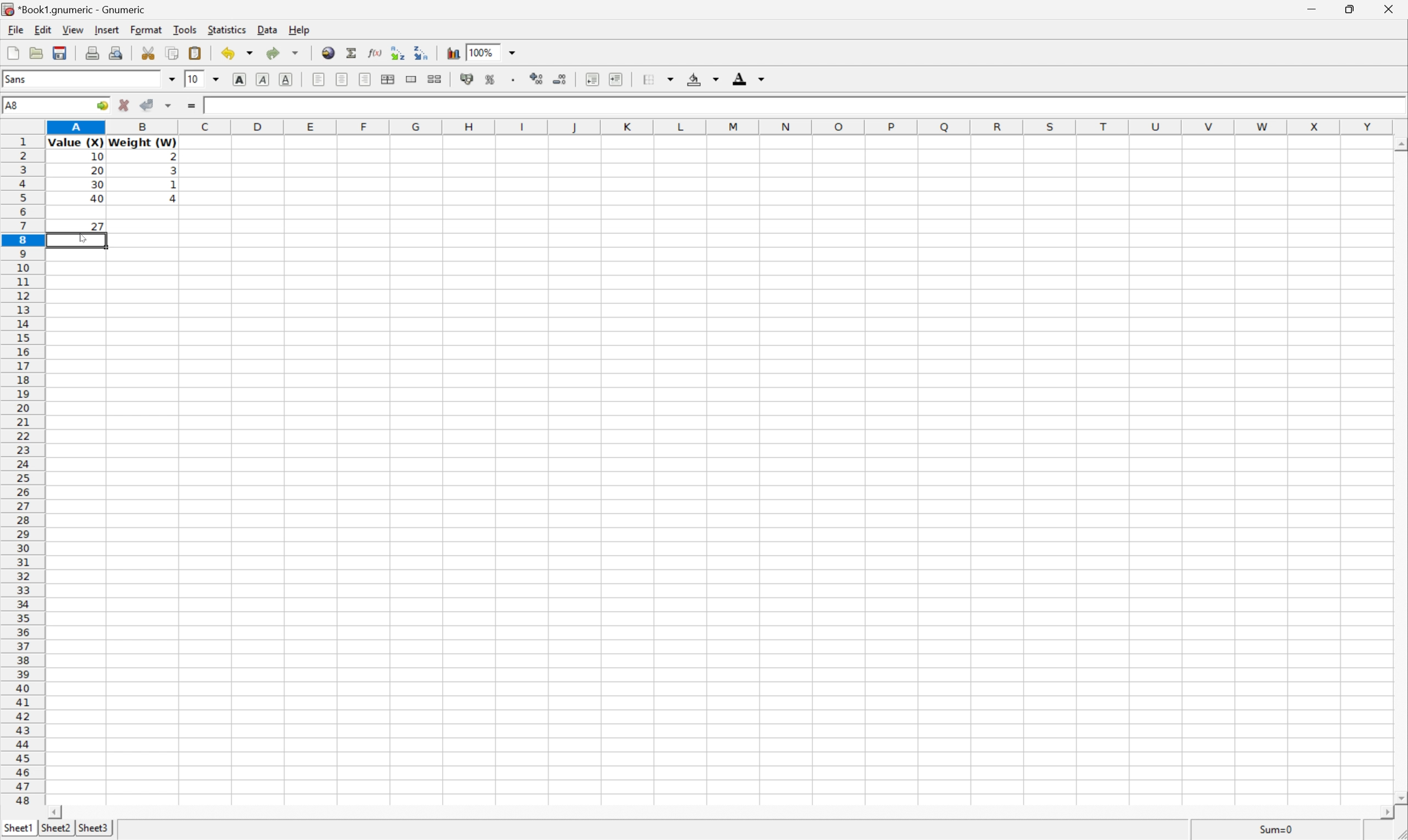  What do you see at coordinates (592, 79) in the screenshot?
I see `Increase indent, and align the contents to the left` at bounding box center [592, 79].